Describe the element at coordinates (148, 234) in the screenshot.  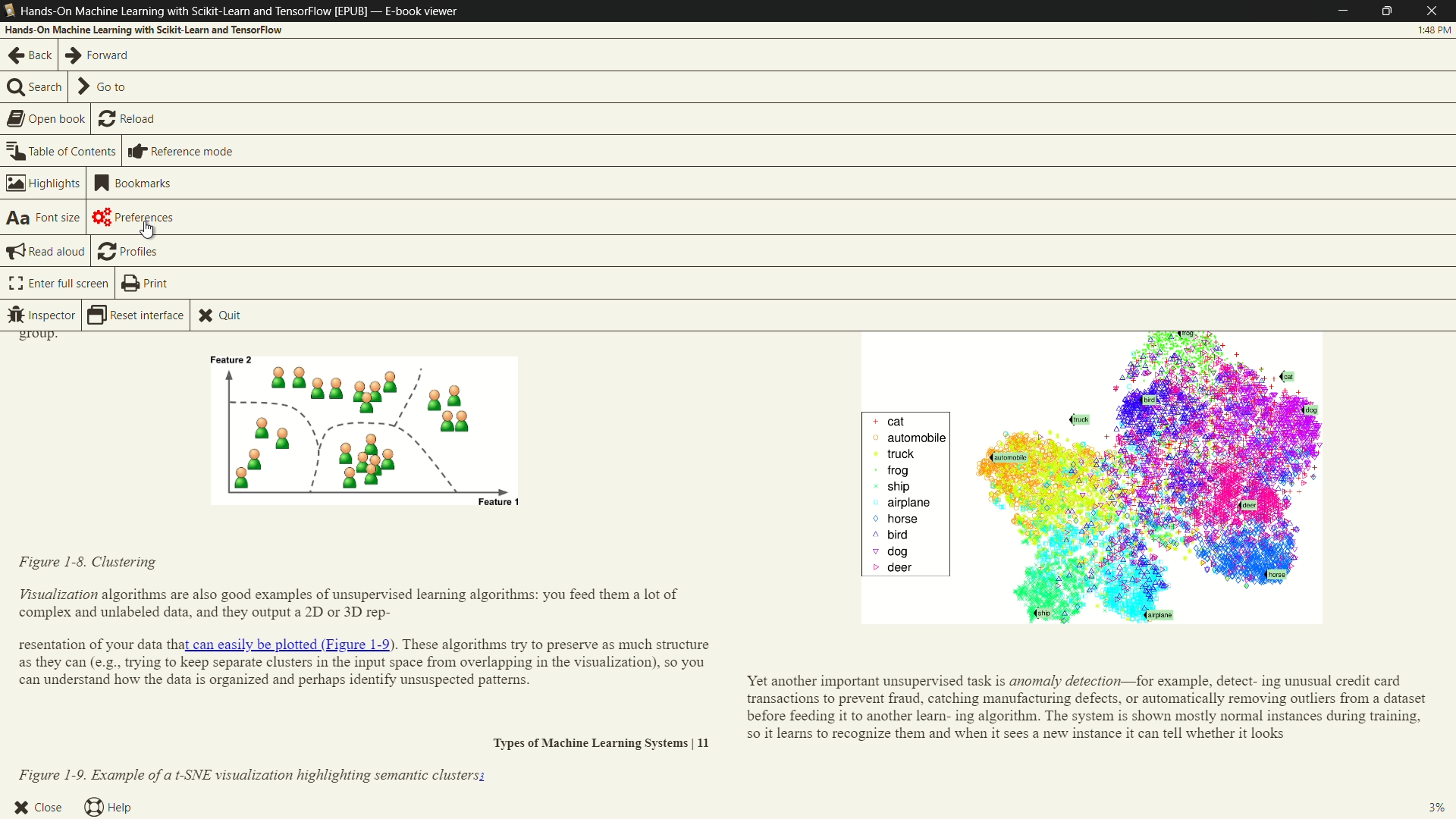
I see `cursor` at that location.